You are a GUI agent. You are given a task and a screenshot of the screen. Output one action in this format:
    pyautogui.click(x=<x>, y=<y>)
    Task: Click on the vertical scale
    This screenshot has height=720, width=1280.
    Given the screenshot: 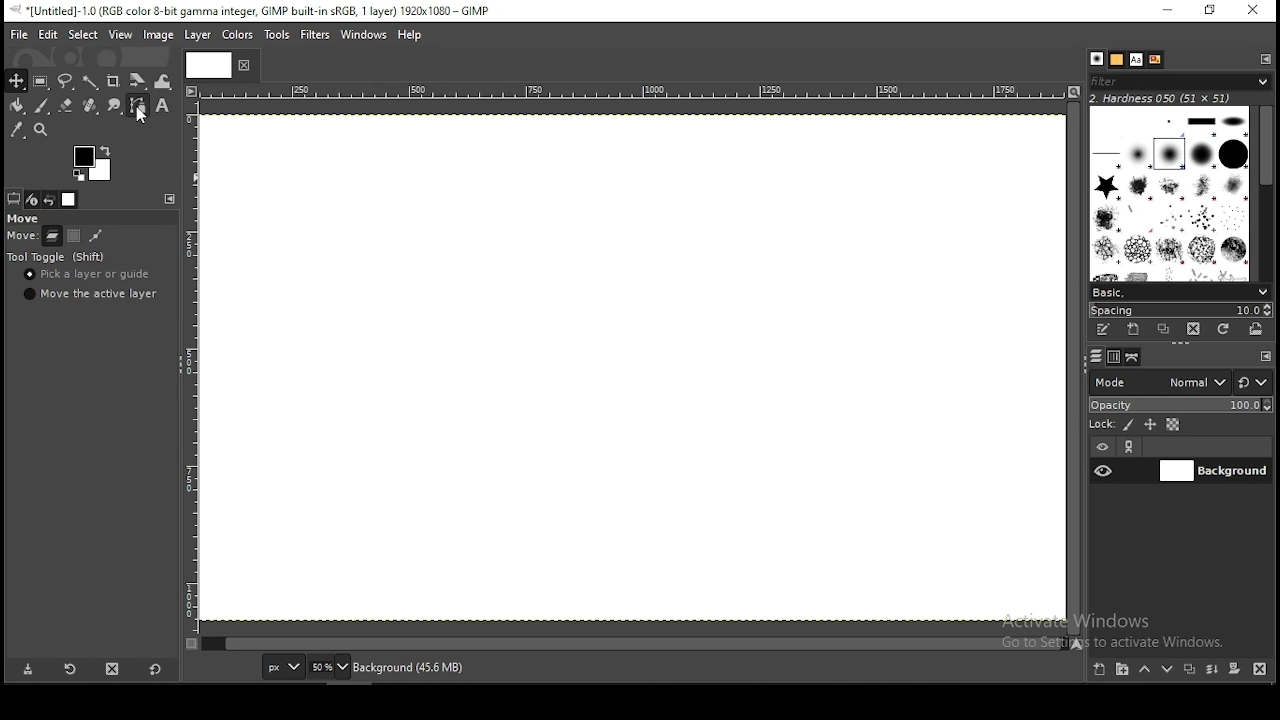 What is the action you would take?
    pyautogui.click(x=191, y=373)
    